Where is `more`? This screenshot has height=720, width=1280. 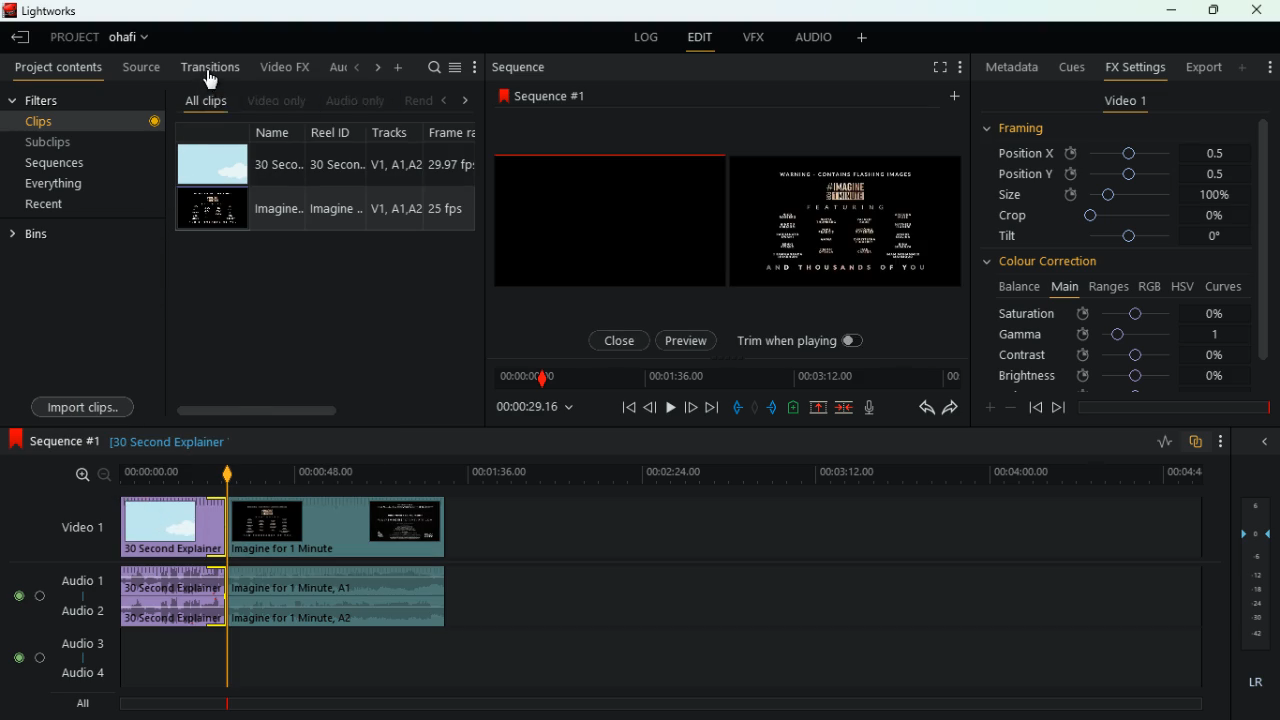
more is located at coordinates (952, 99).